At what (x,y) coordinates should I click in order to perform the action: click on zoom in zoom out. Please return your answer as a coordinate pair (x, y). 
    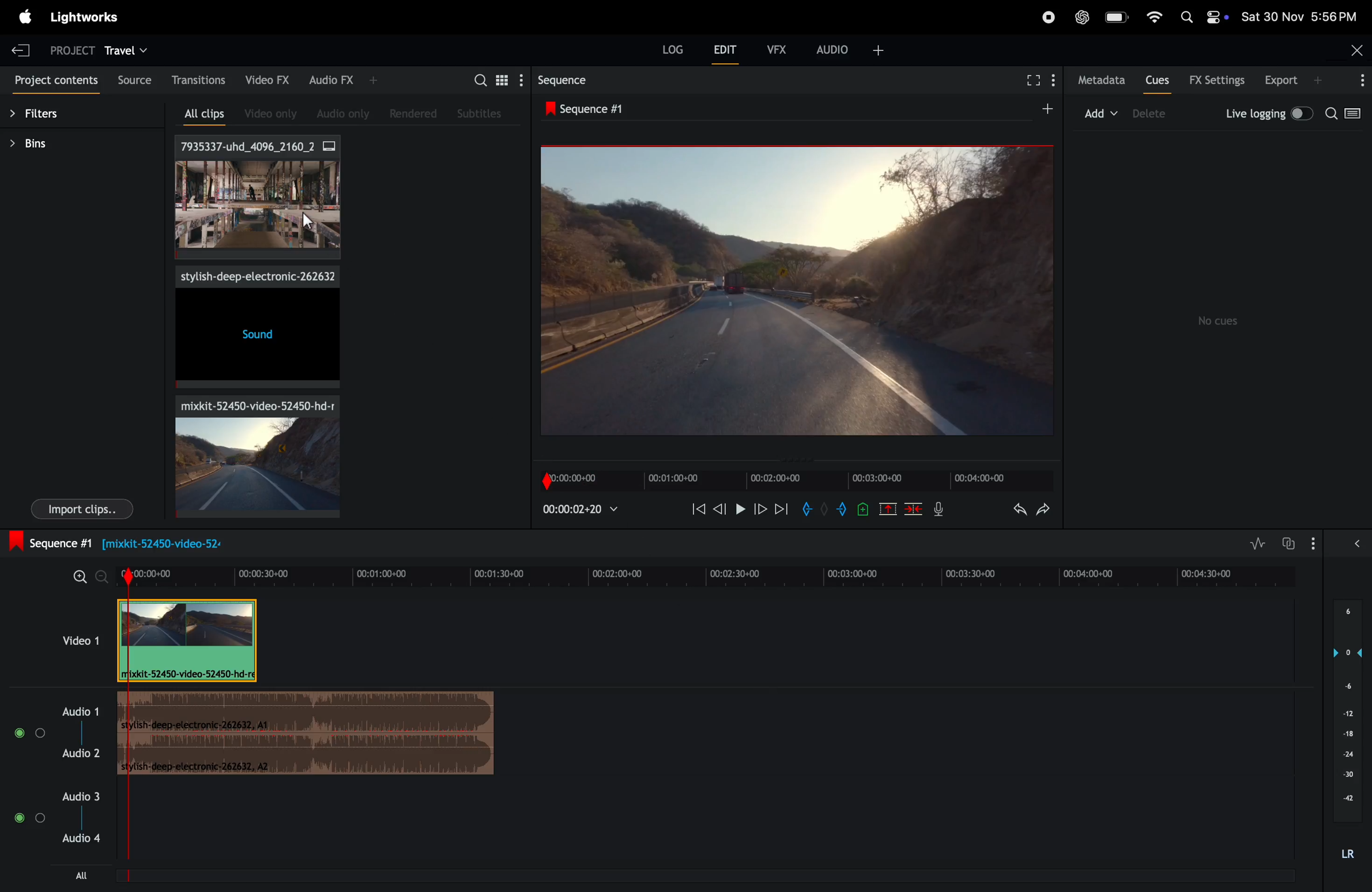
    Looking at the image, I should click on (82, 576).